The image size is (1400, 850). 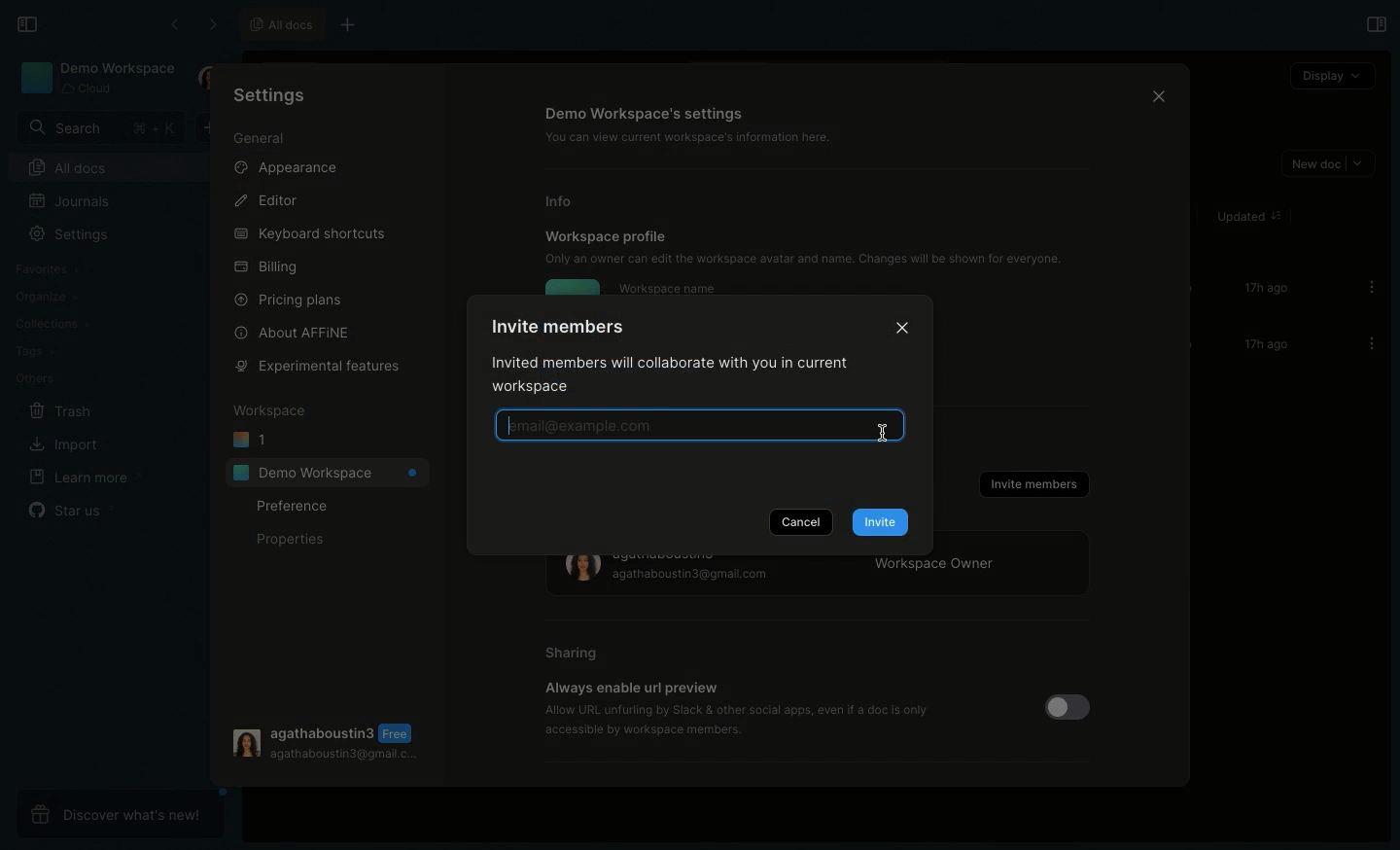 What do you see at coordinates (115, 167) in the screenshot?
I see `All docs` at bounding box center [115, 167].